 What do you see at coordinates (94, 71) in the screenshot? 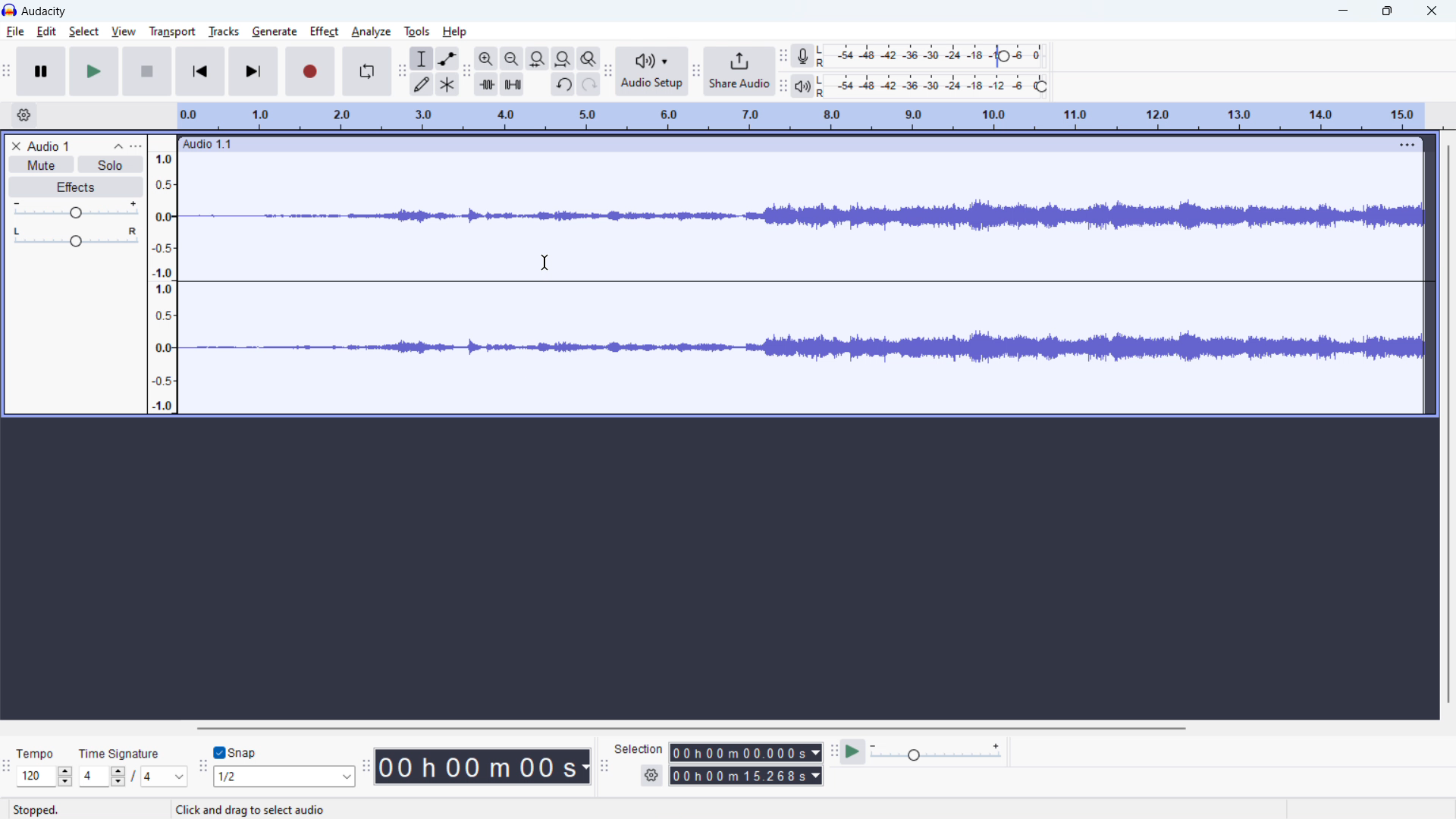
I see `play` at bounding box center [94, 71].